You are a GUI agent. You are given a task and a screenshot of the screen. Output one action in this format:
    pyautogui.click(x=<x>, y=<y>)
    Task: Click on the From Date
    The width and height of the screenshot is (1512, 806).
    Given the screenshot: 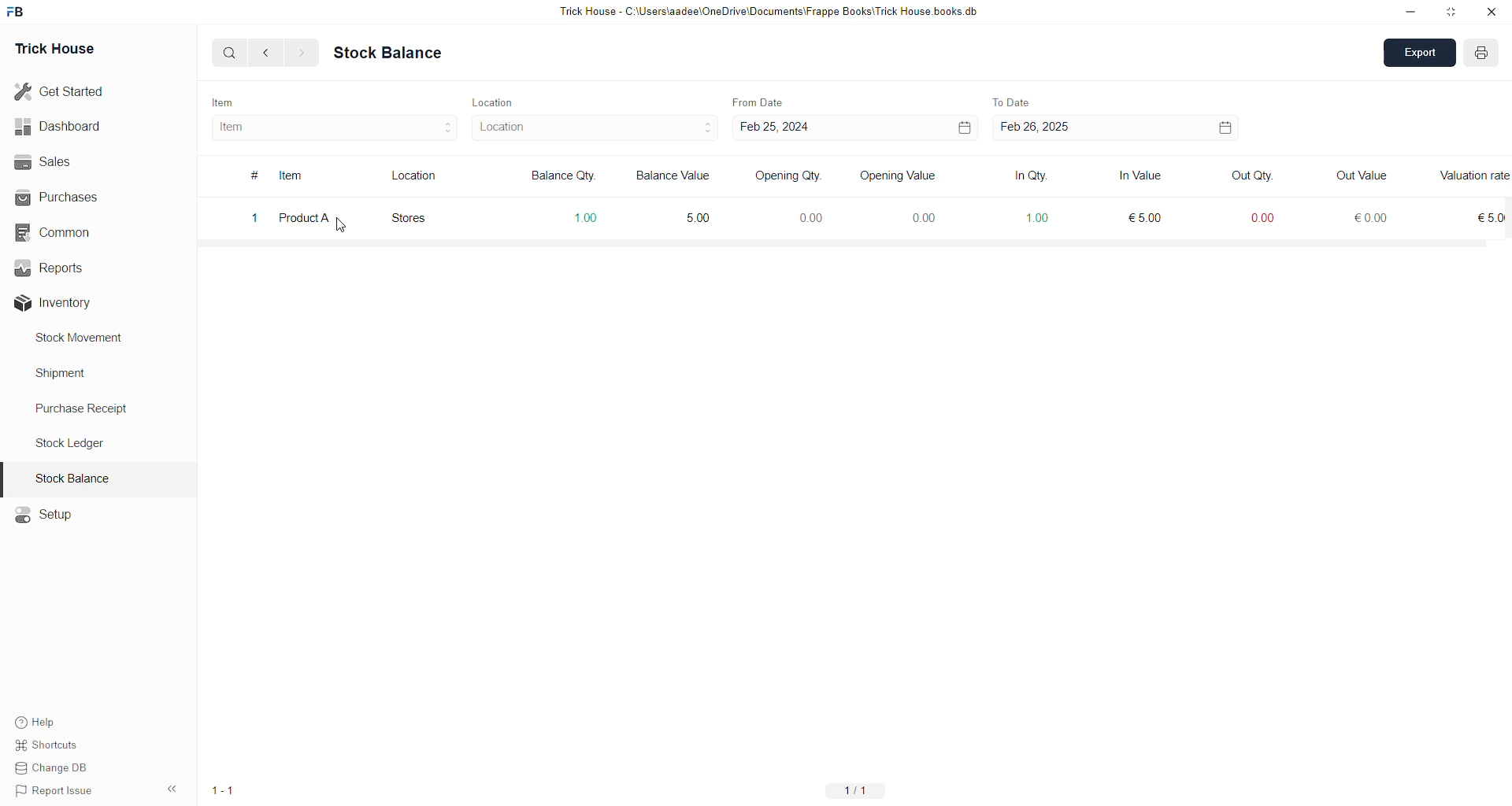 What is the action you would take?
    pyautogui.click(x=762, y=102)
    